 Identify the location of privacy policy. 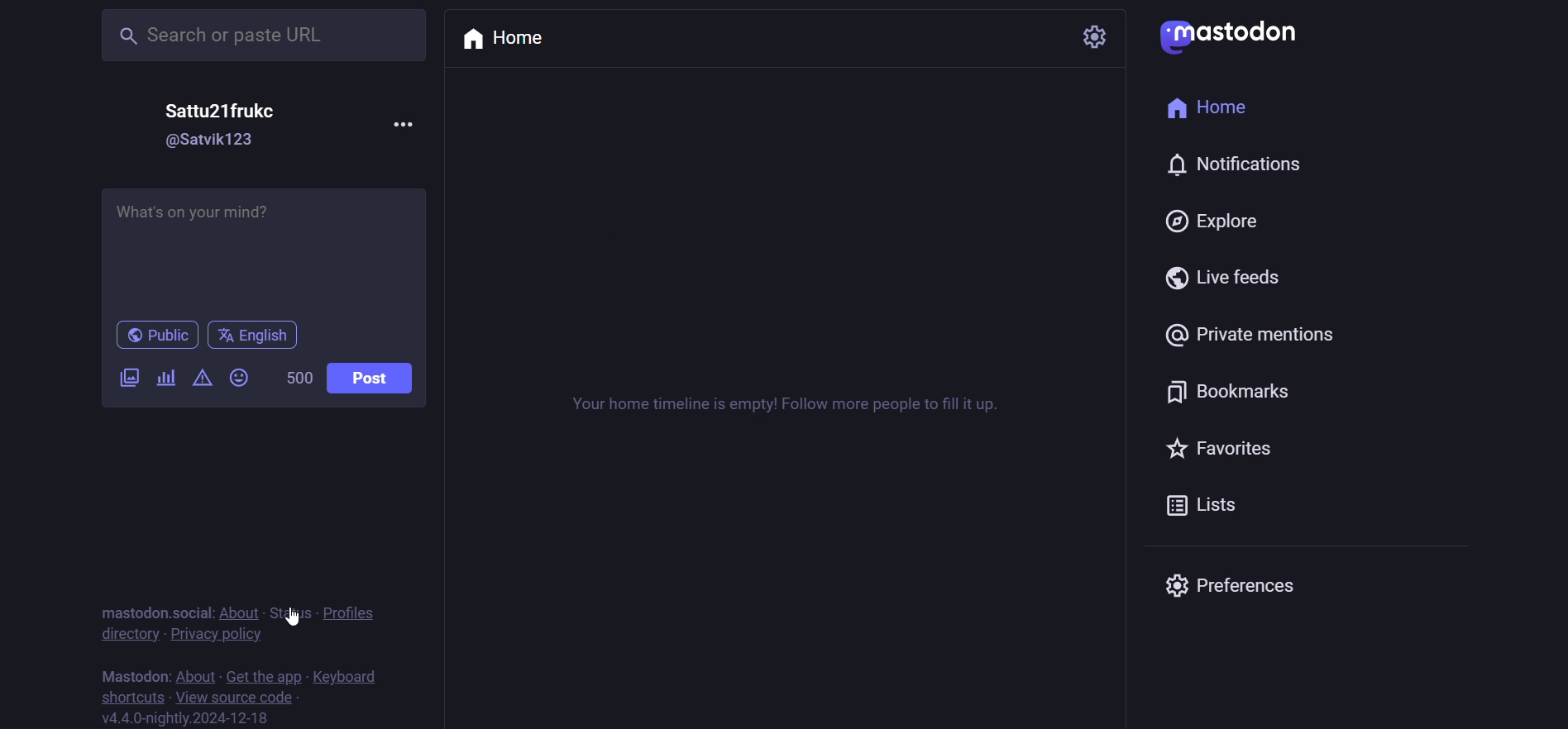
(214, 634).